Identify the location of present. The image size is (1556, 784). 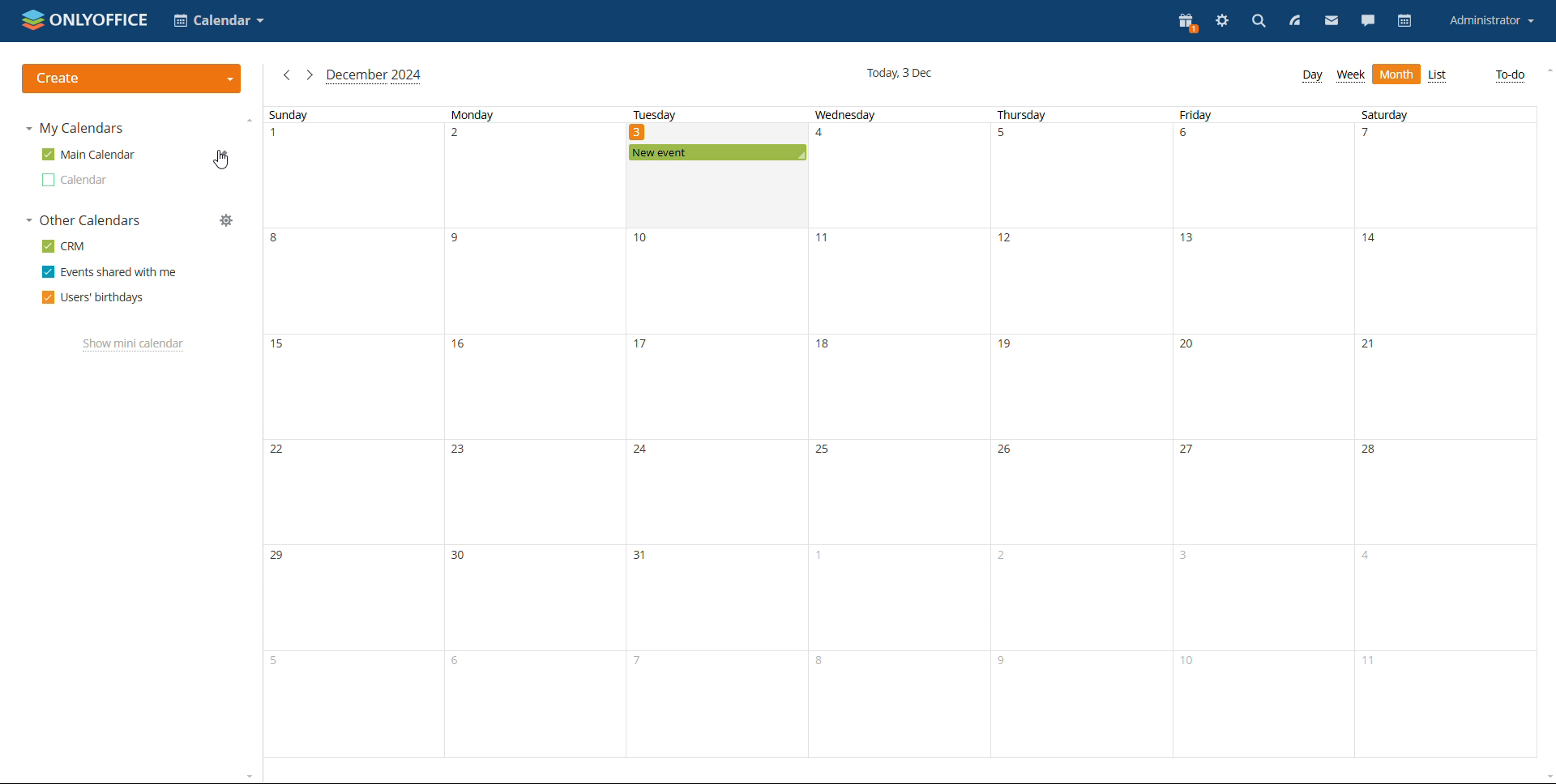
(1190, 22).